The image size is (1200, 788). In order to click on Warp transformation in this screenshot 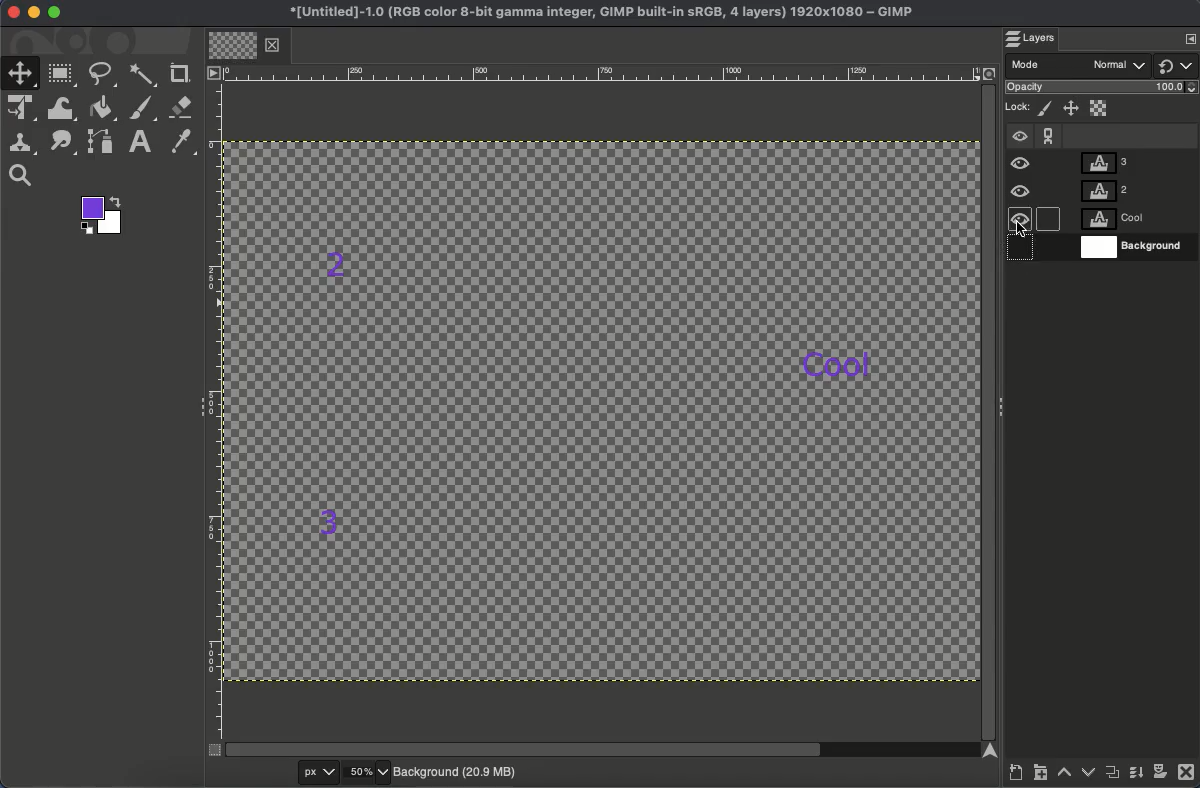, I will do `click(63, 110)`.